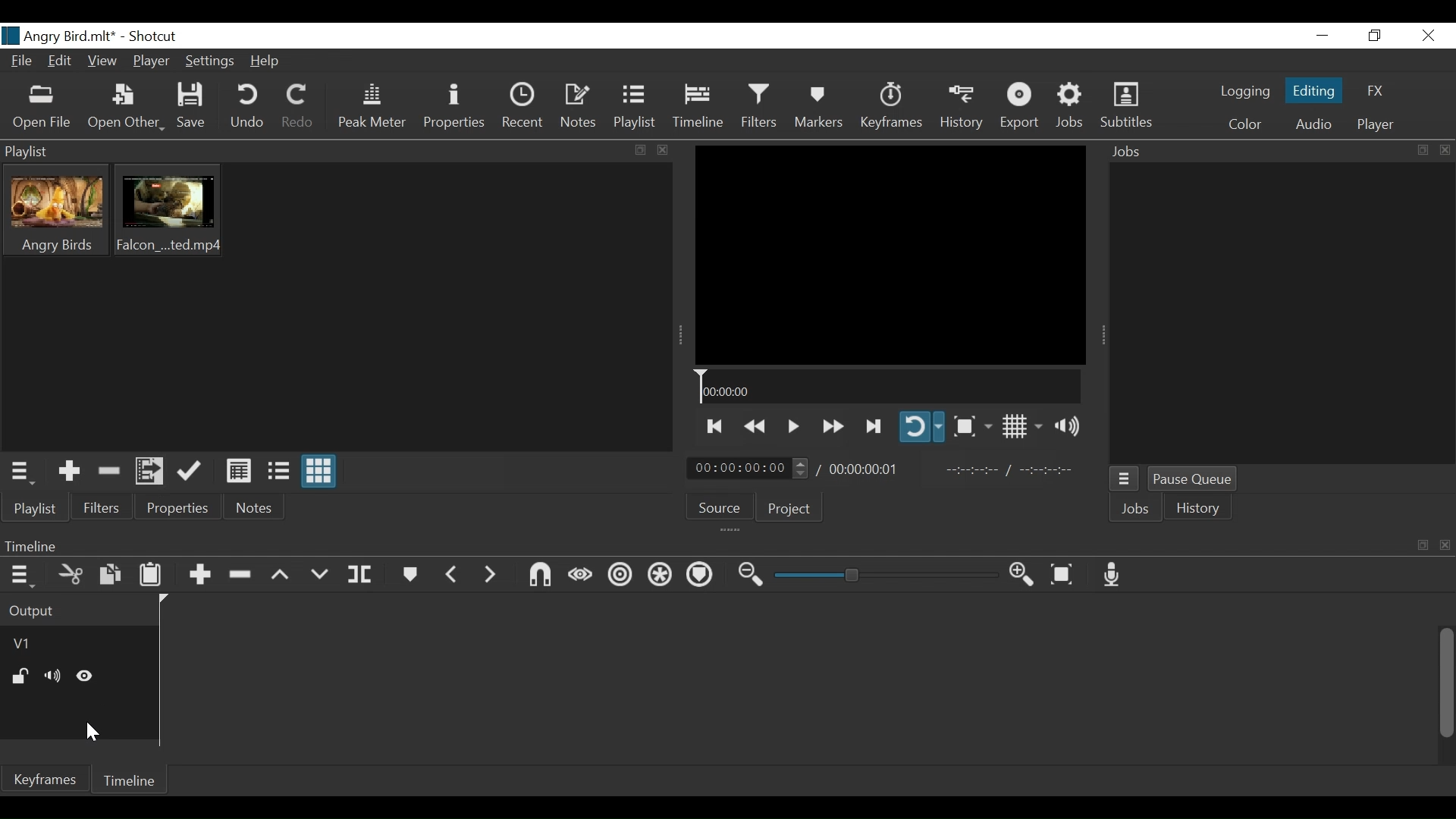 This screenshot has height=819, width=1456. Describe the element at coordinates (181, 508) in the screenshot. I see `Properties` at that location.